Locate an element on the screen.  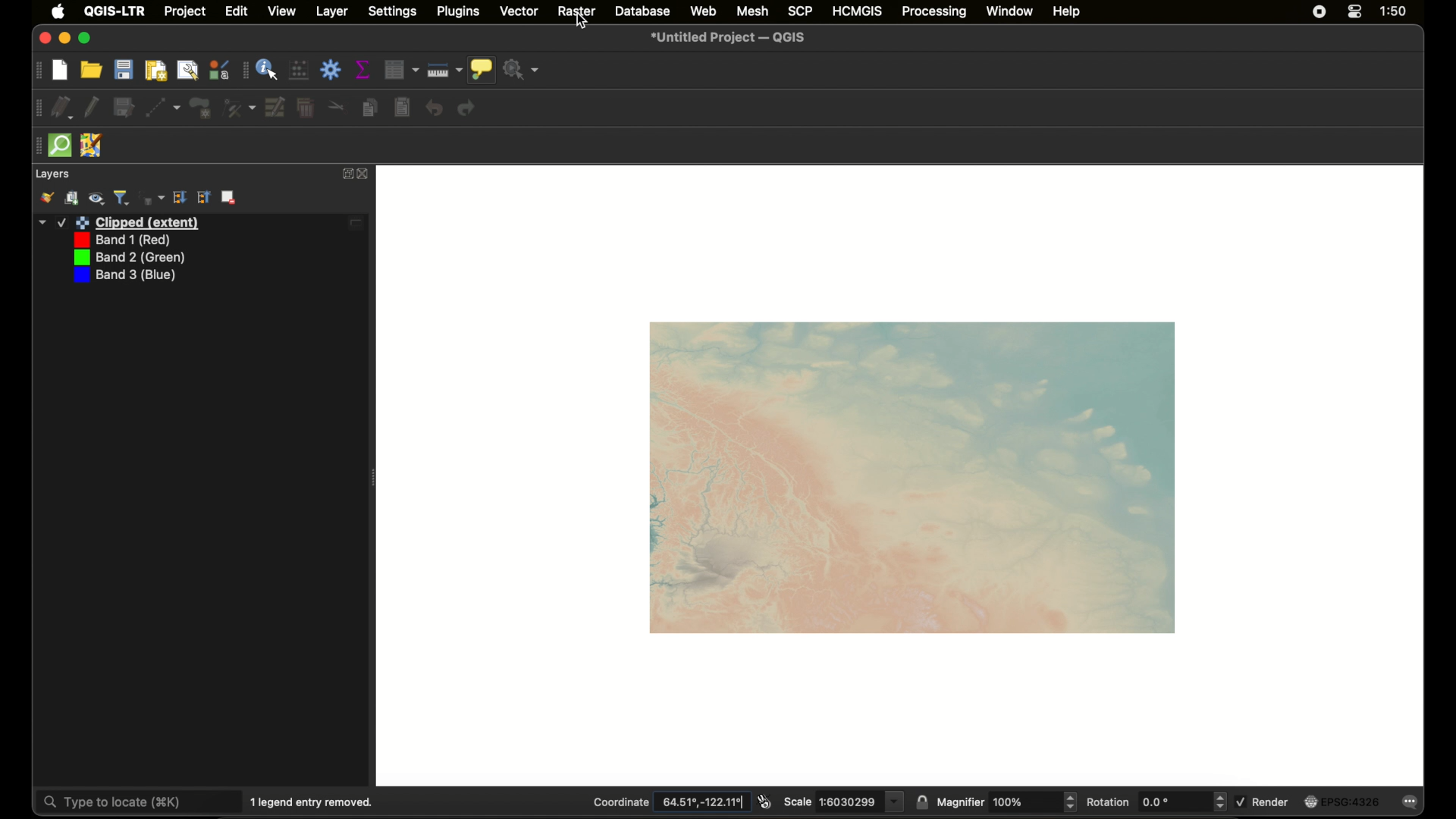
add group is located at coordinates (72, 198).